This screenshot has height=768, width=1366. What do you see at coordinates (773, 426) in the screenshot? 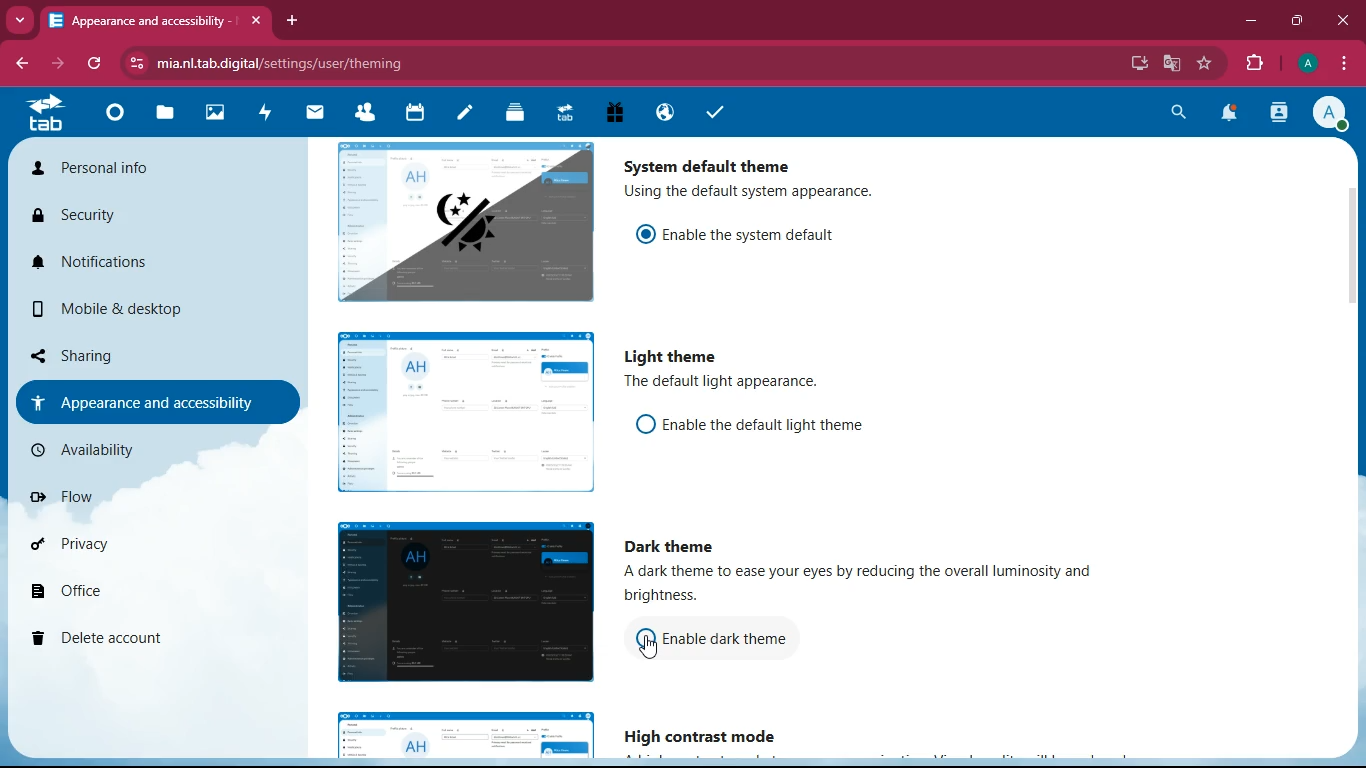
I see `enable` at bounding box center [773, 426].